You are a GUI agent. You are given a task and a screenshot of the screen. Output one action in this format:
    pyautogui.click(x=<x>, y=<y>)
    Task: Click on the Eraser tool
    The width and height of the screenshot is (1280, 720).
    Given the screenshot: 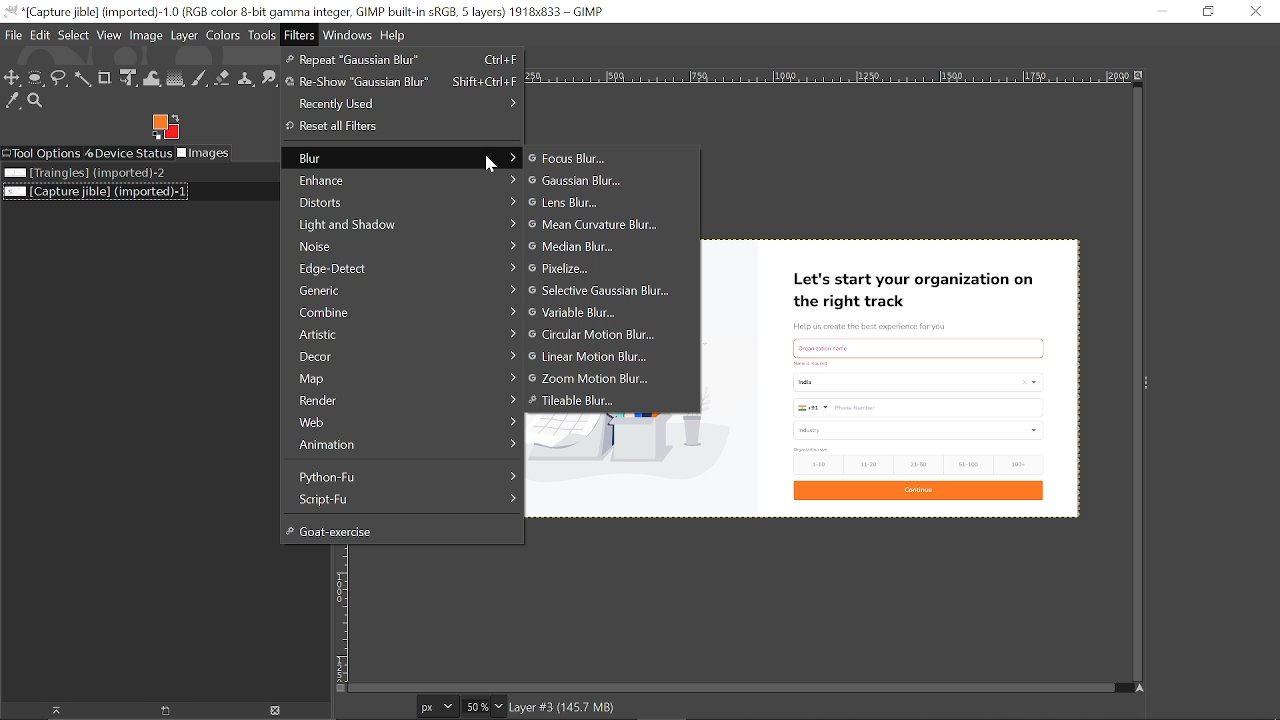 What is the action you would take?
    pyautogui.click(x=222, y=78)
    